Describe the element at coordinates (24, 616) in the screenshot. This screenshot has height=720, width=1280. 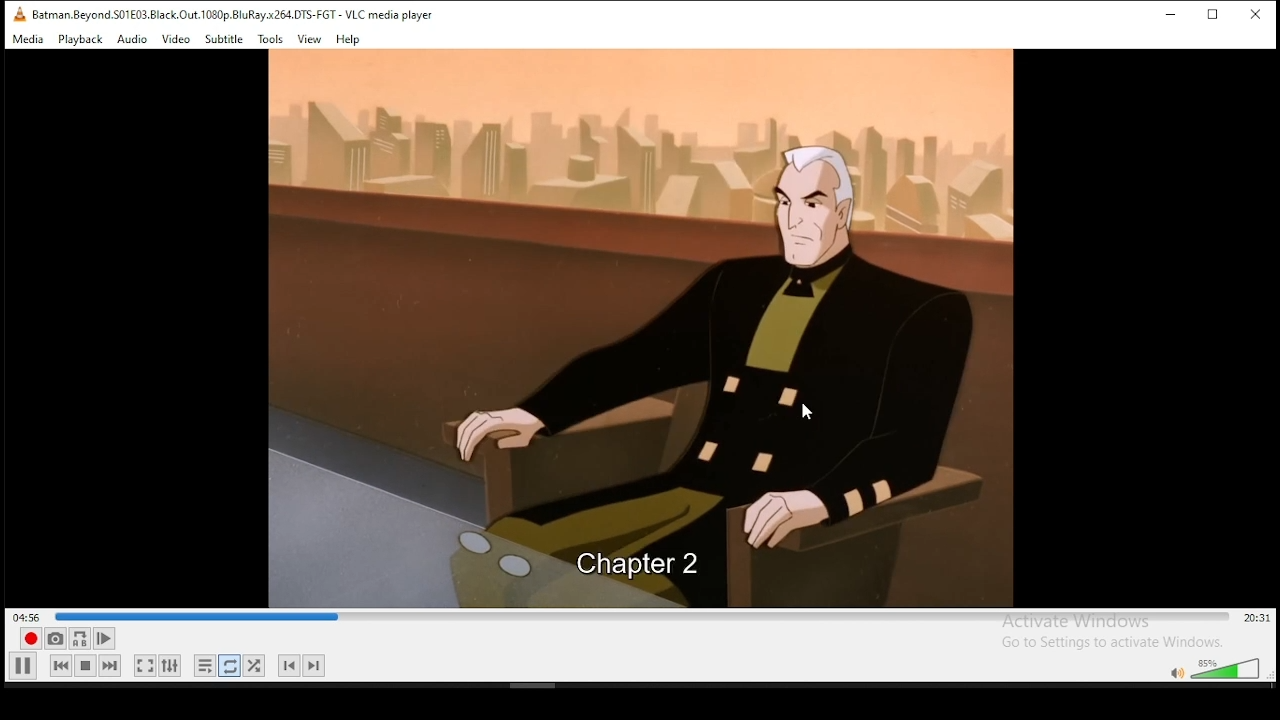
I see `04:56` at that location.